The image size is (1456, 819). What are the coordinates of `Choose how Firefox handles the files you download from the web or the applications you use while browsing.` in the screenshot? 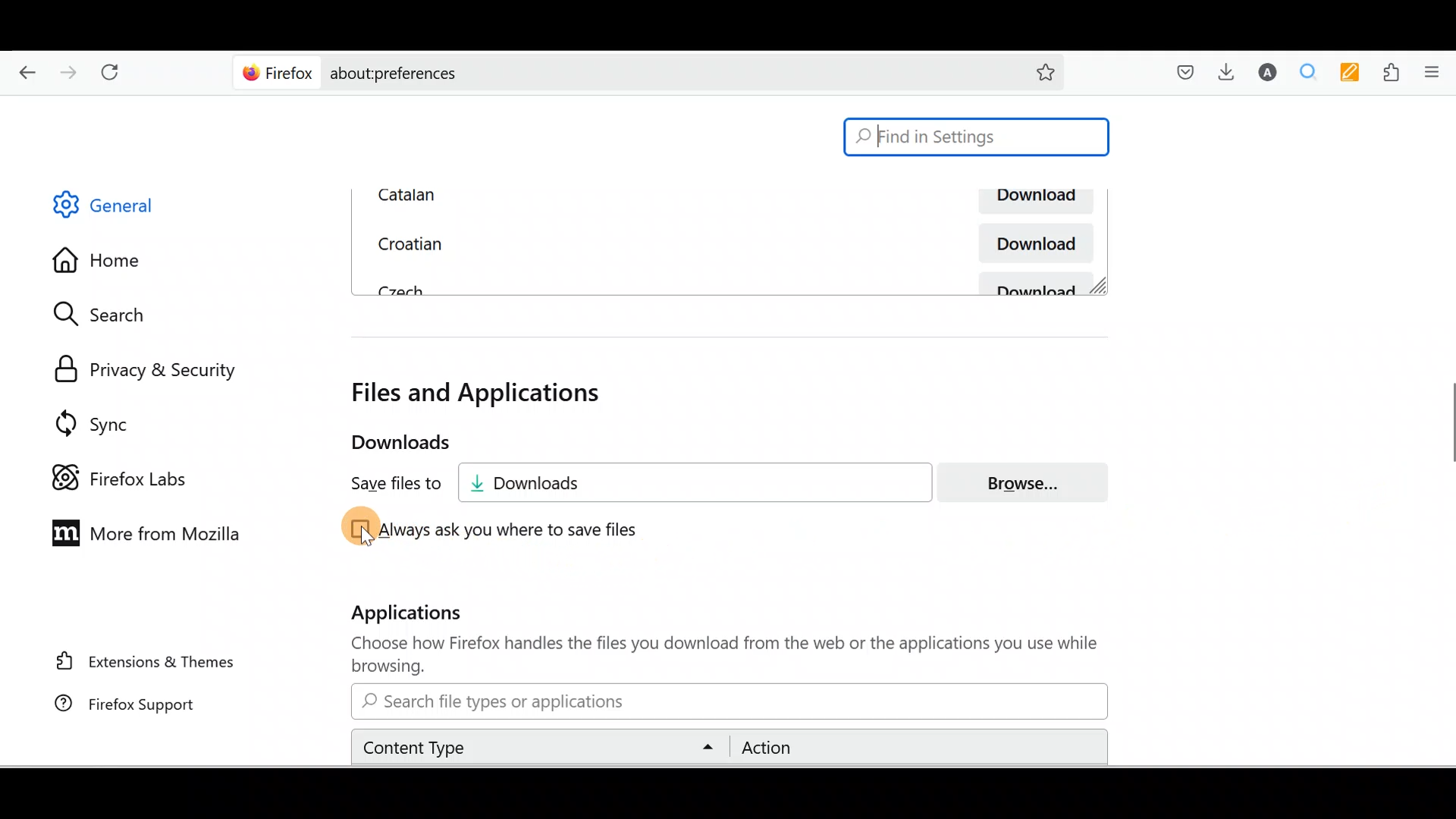 It's located at (714, 655).